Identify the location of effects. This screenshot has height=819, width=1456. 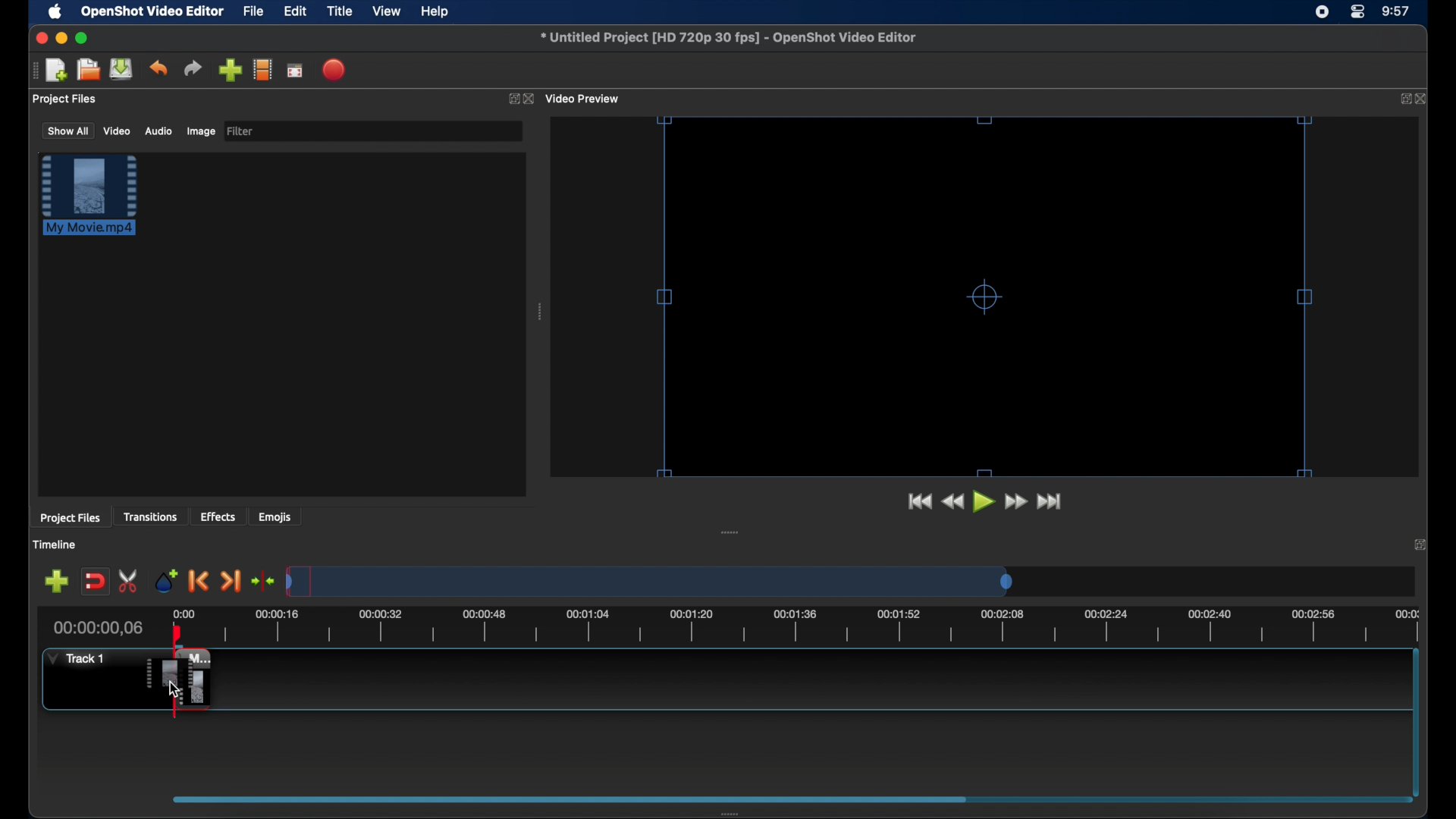
(218, 516).